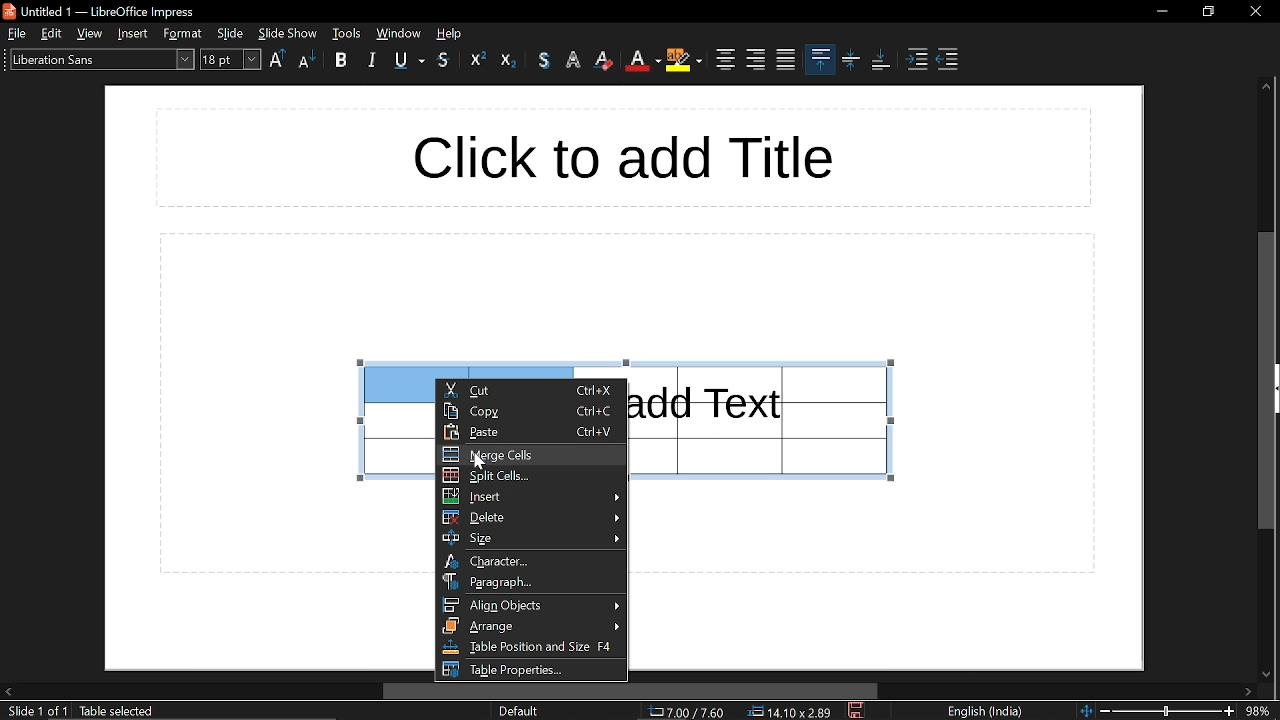 The width and height of the screenshot is (1280, 720). I want to click on move right, so click(1250, 692).